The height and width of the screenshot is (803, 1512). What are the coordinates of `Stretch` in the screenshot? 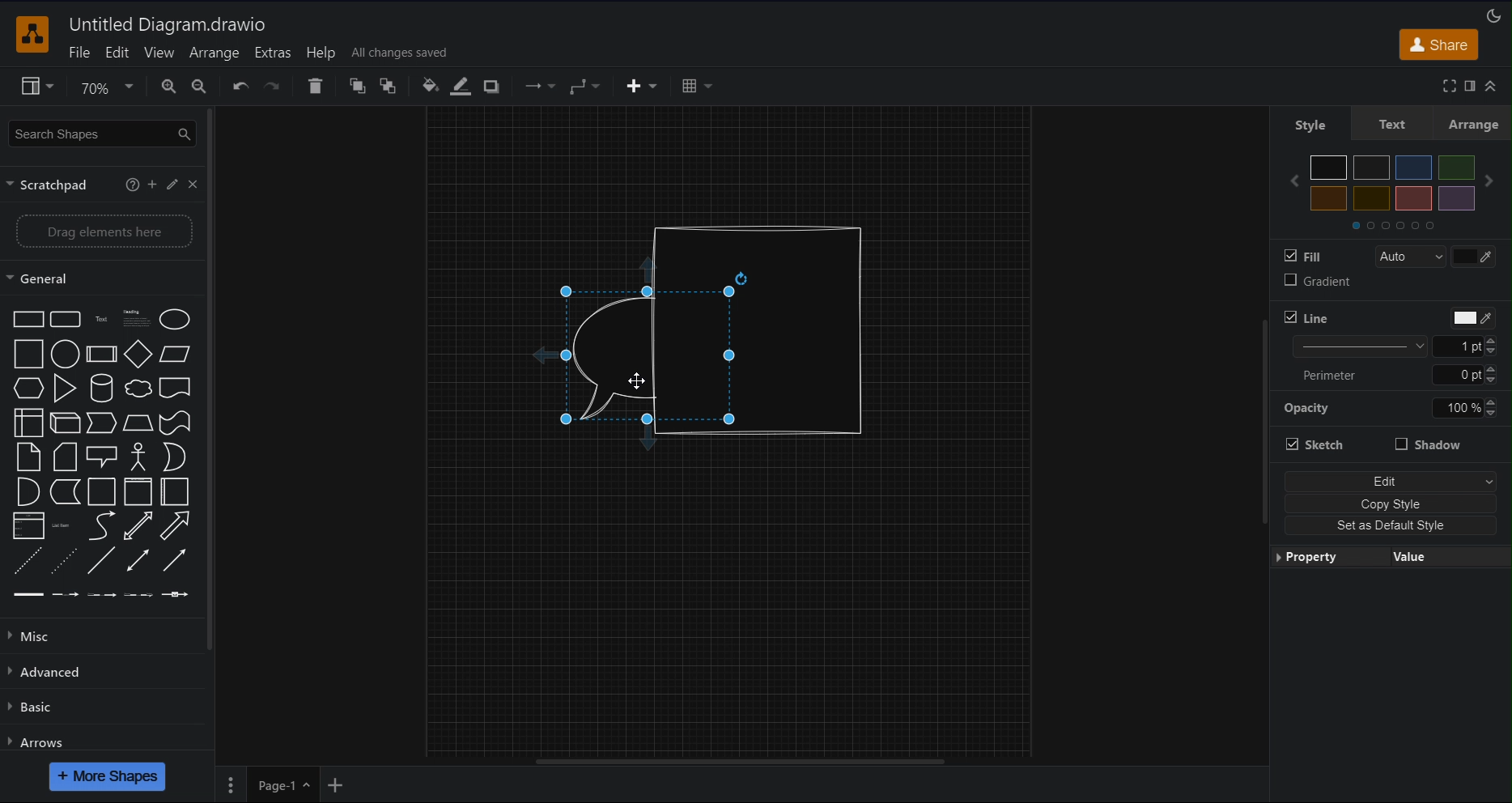 It's located at (1314, 444).